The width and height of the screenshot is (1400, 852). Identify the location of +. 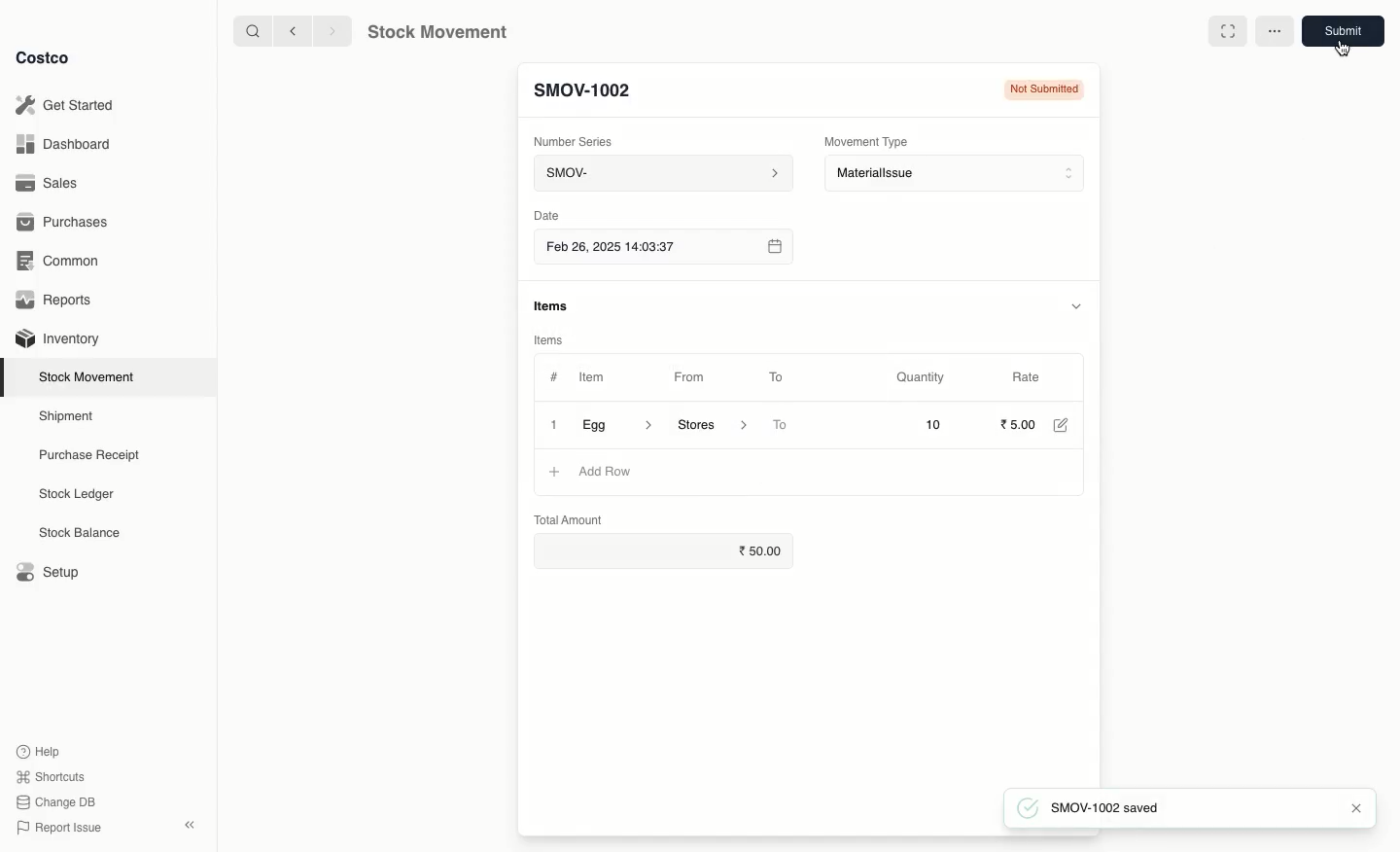
(553, 471).